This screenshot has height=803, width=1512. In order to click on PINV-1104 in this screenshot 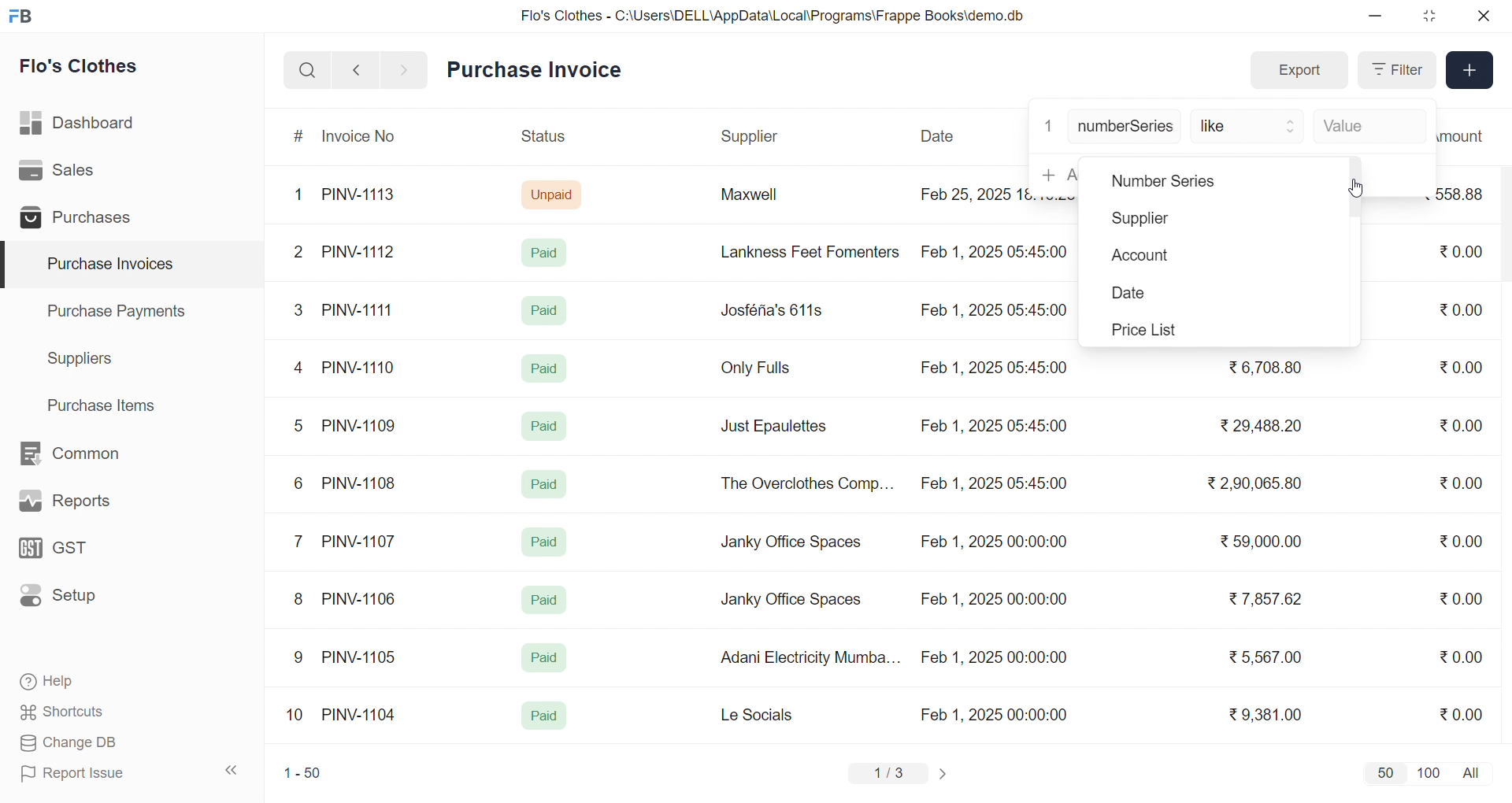, I will do `click(361, 715)`.